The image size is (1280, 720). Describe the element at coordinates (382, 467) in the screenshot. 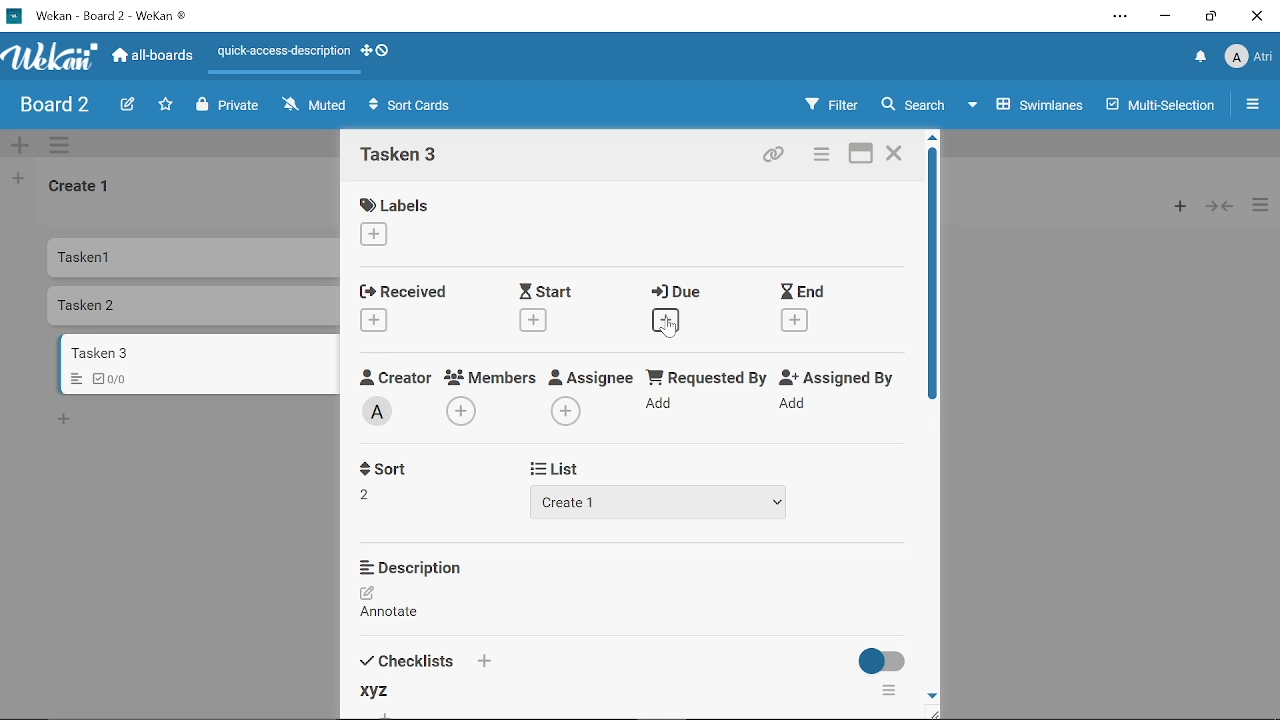

I see `Sort` at that location.